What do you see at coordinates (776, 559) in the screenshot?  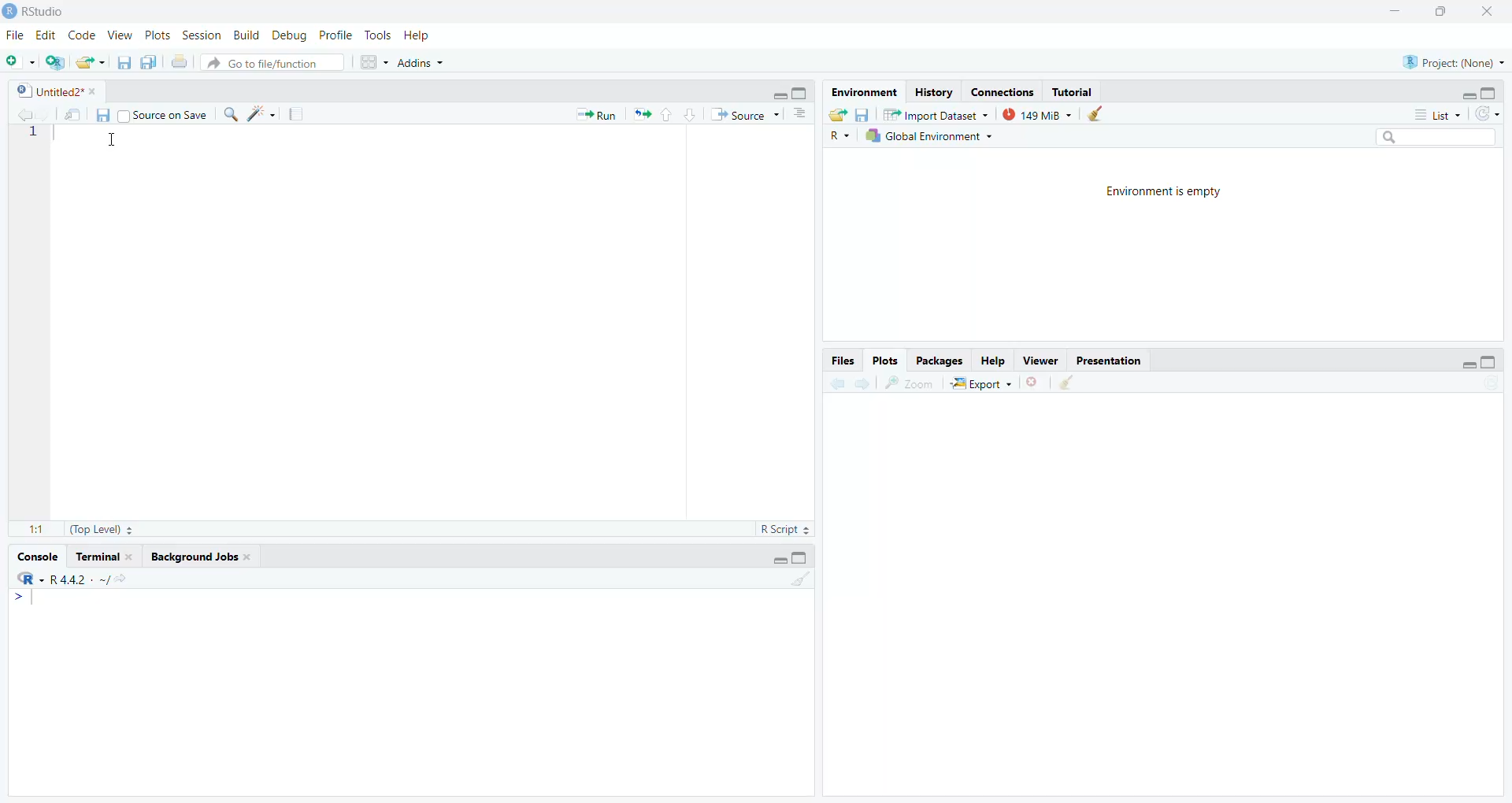 I see `Minimize` at bounding box center [776, 559].